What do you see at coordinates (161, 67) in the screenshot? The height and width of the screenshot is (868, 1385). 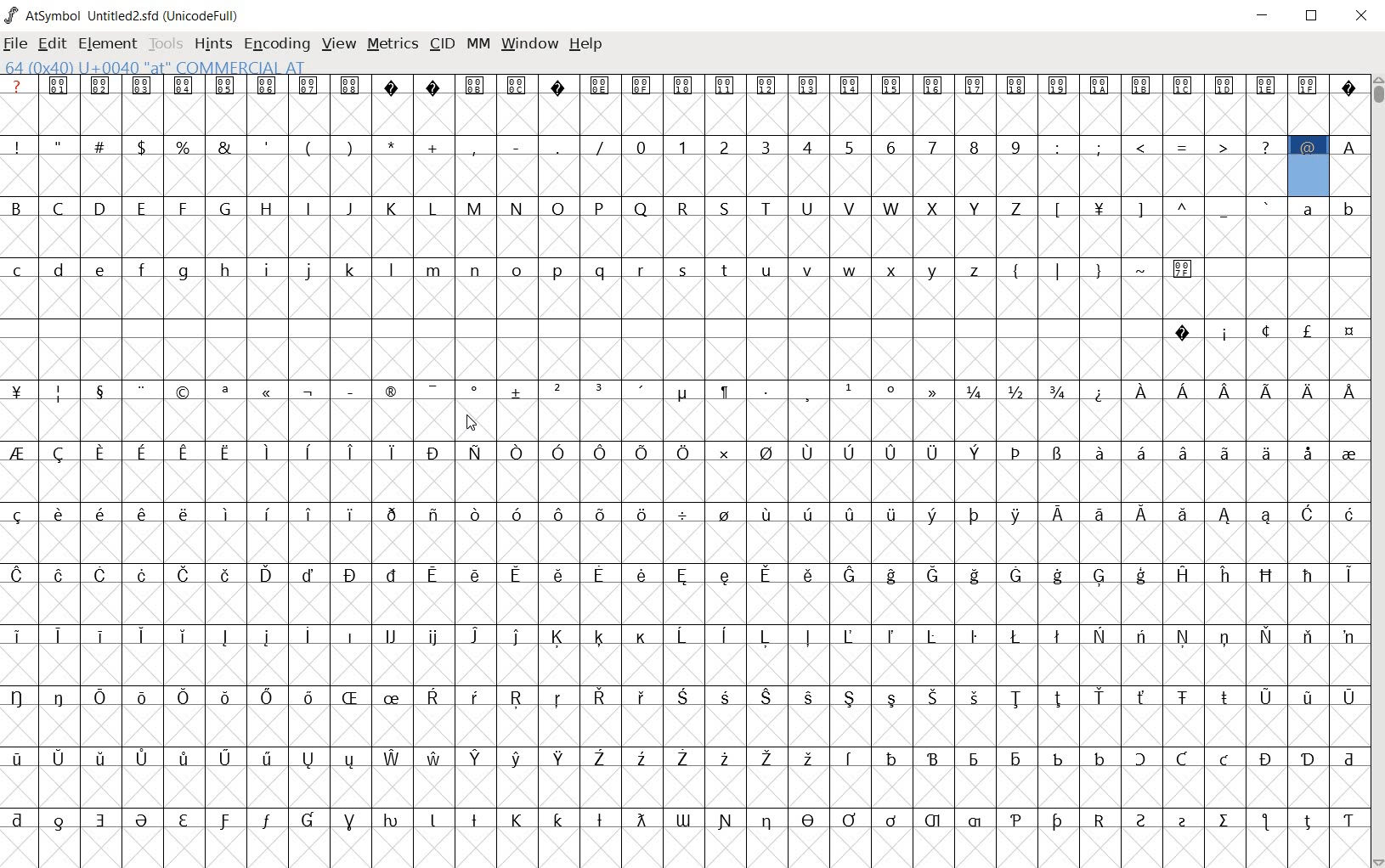 I see `64 (0x40) U+00400 "AT" commercial AT` at bounding box center [161, 67].